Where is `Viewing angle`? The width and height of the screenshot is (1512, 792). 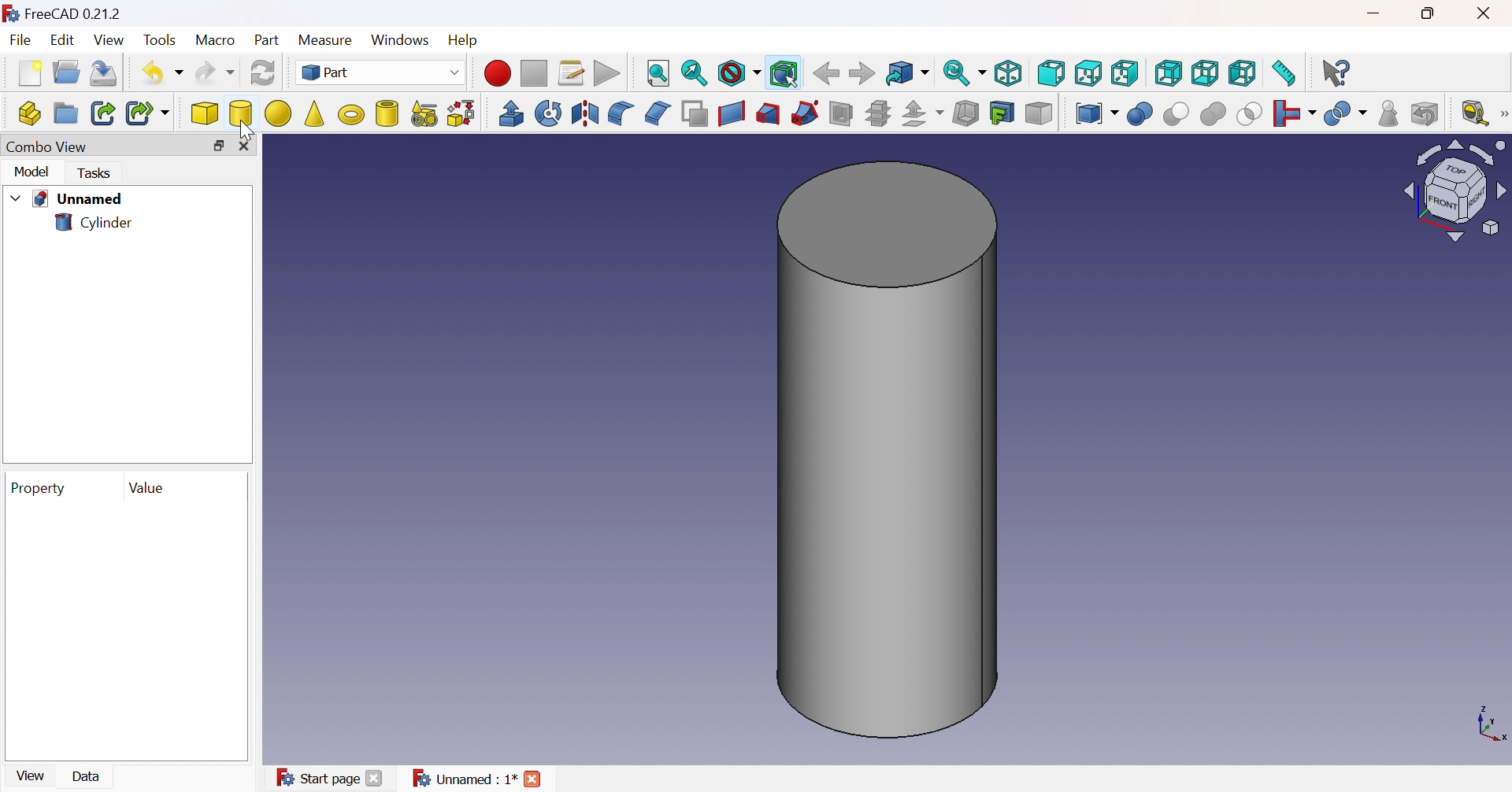 Viewing angle is located at coordinates (1454, 192).